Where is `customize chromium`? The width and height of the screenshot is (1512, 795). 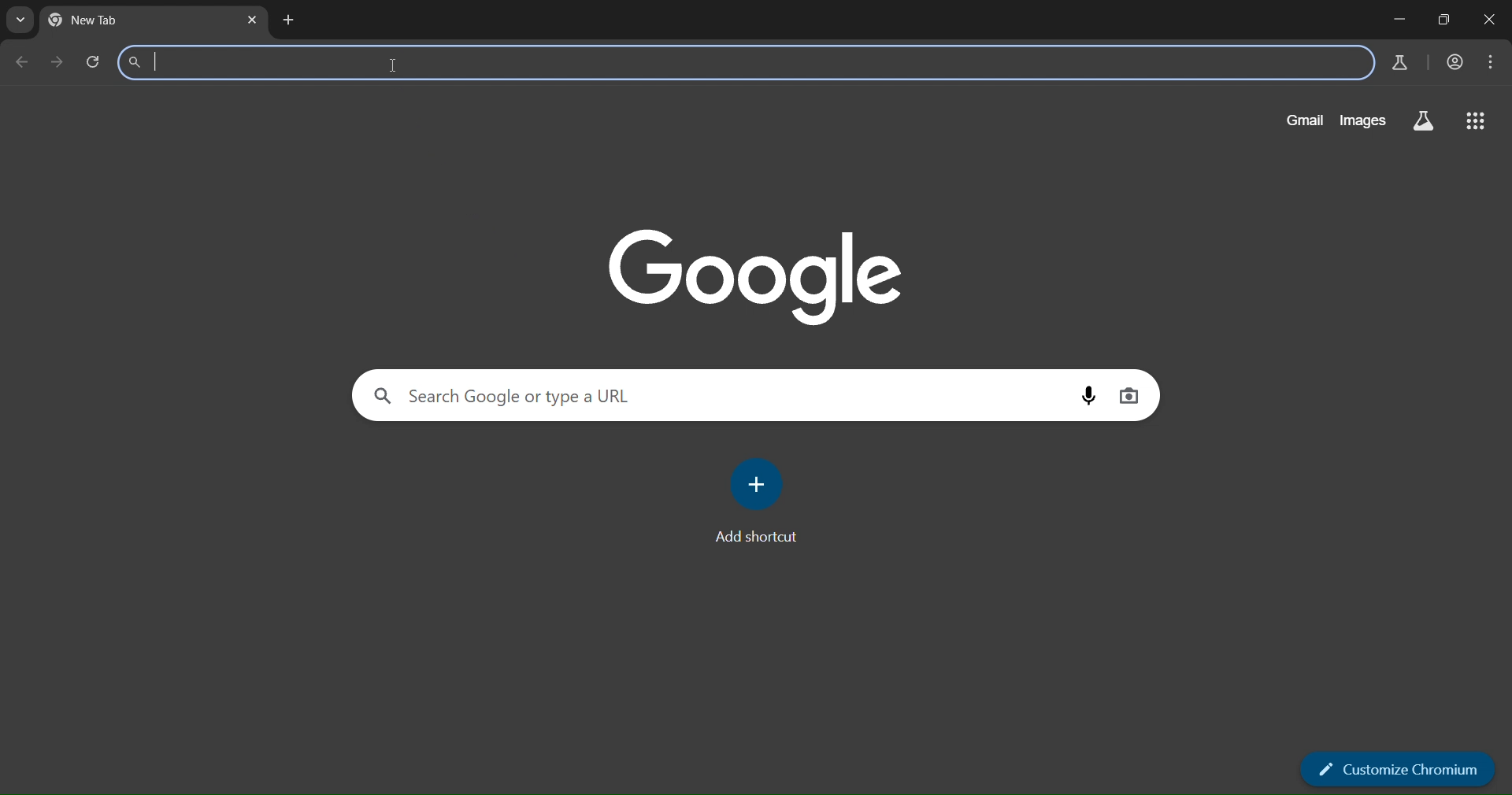
customize chromium is located at coordinates (1400, 767).